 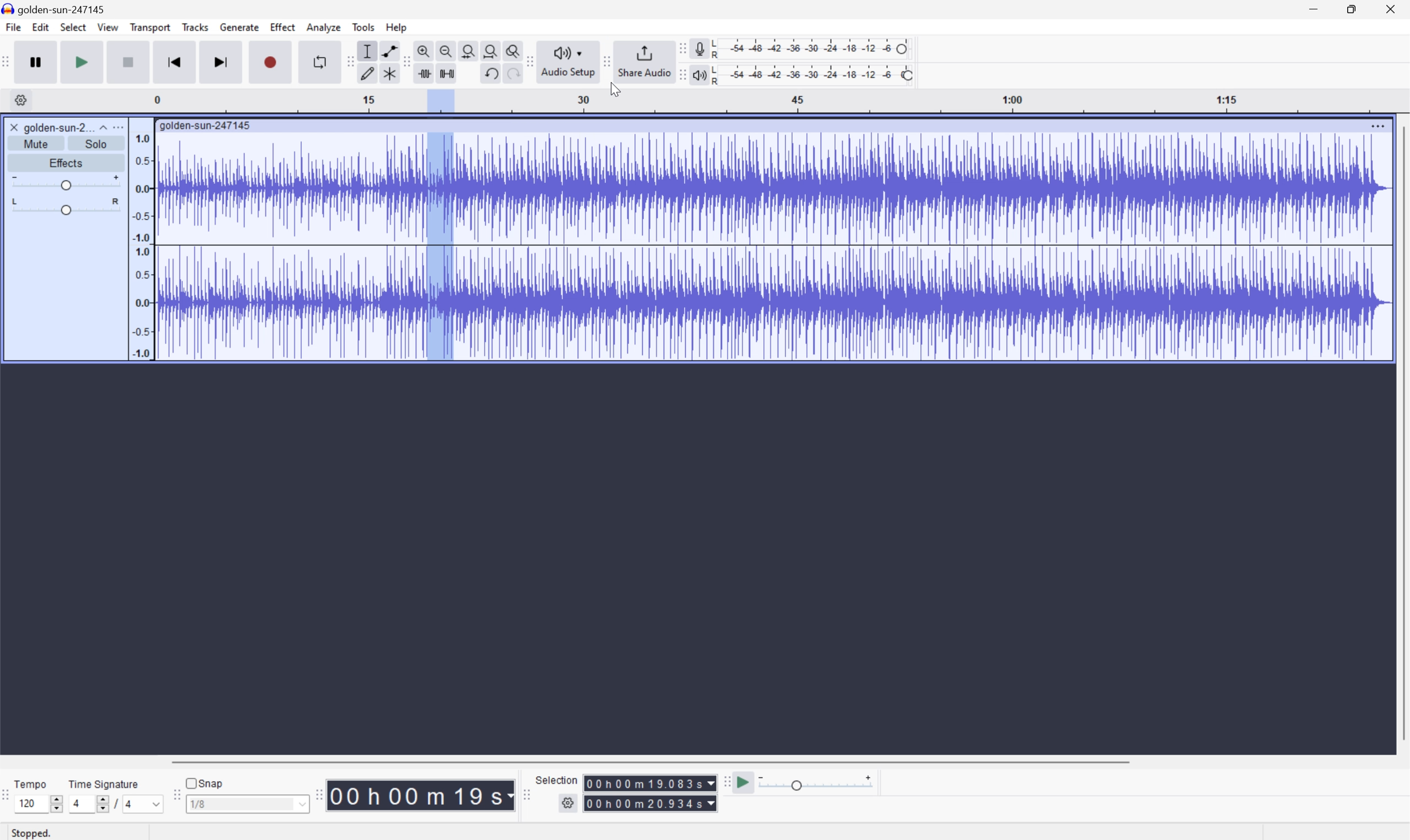 I want to click on Drop Down, so click(x=301, y=806).